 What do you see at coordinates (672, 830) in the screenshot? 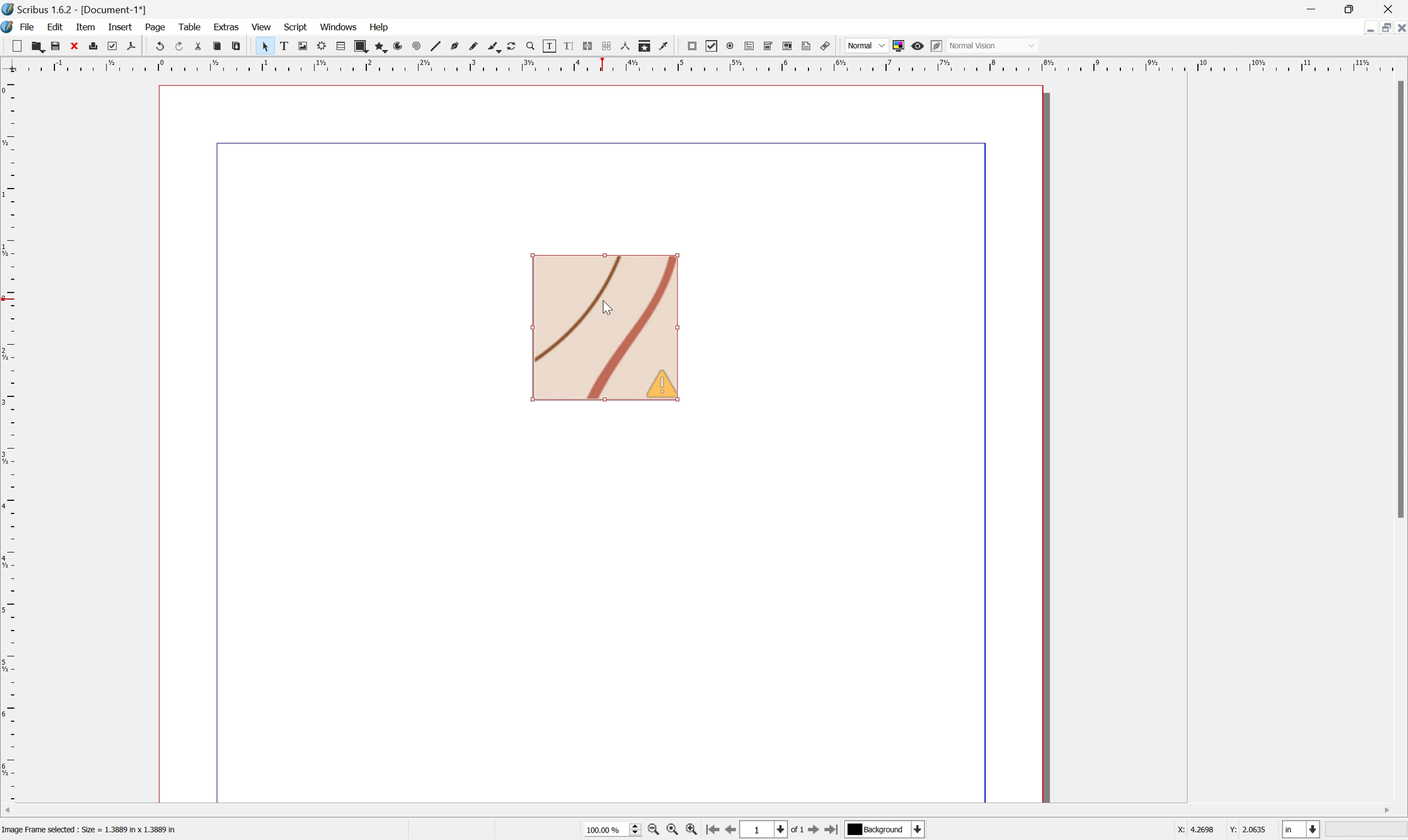
I see `Zoom to 100%` at bounding box center [672, 830].